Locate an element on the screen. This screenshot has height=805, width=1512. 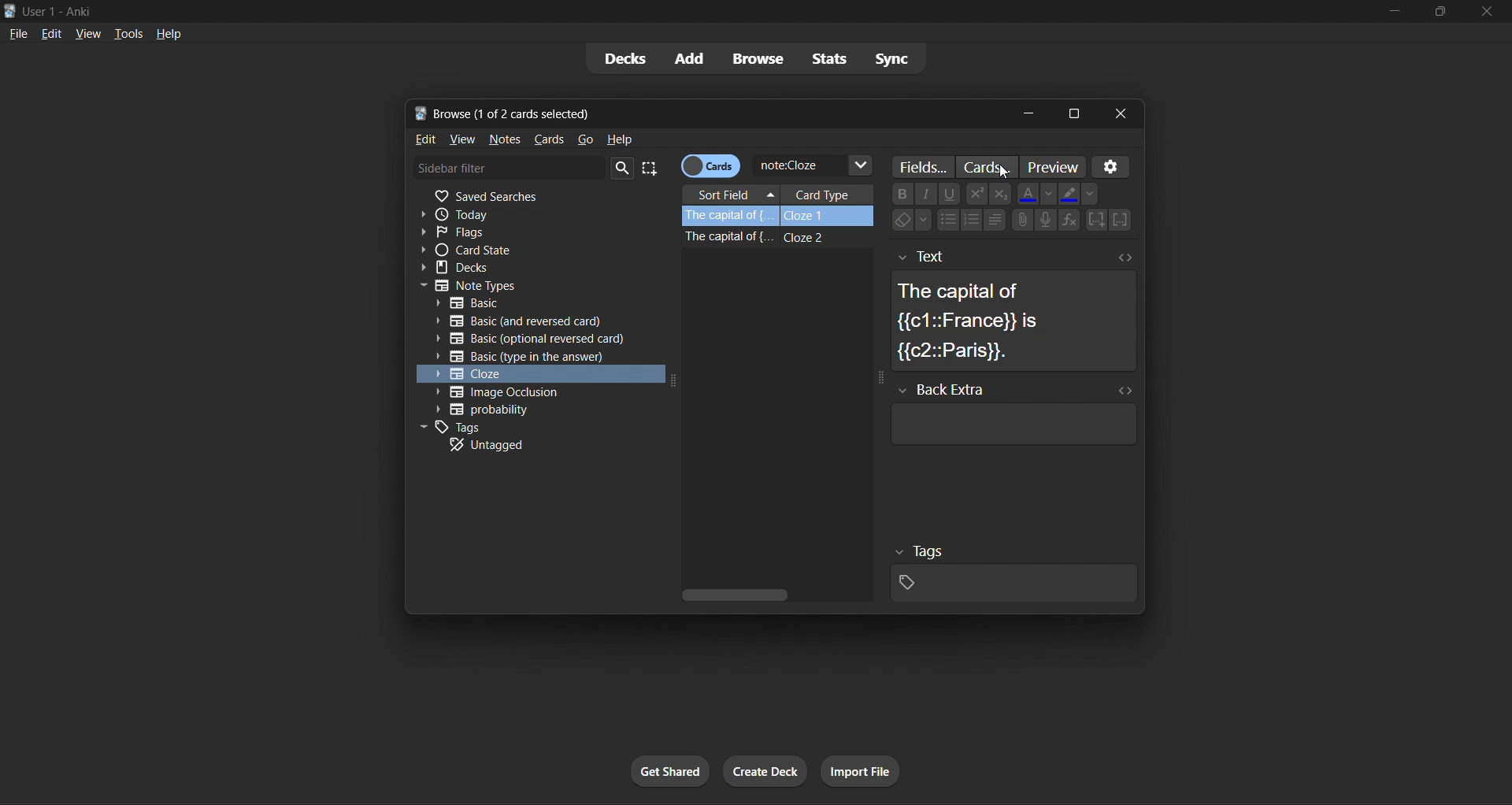
customize card template is located at coordinates (988, 166).